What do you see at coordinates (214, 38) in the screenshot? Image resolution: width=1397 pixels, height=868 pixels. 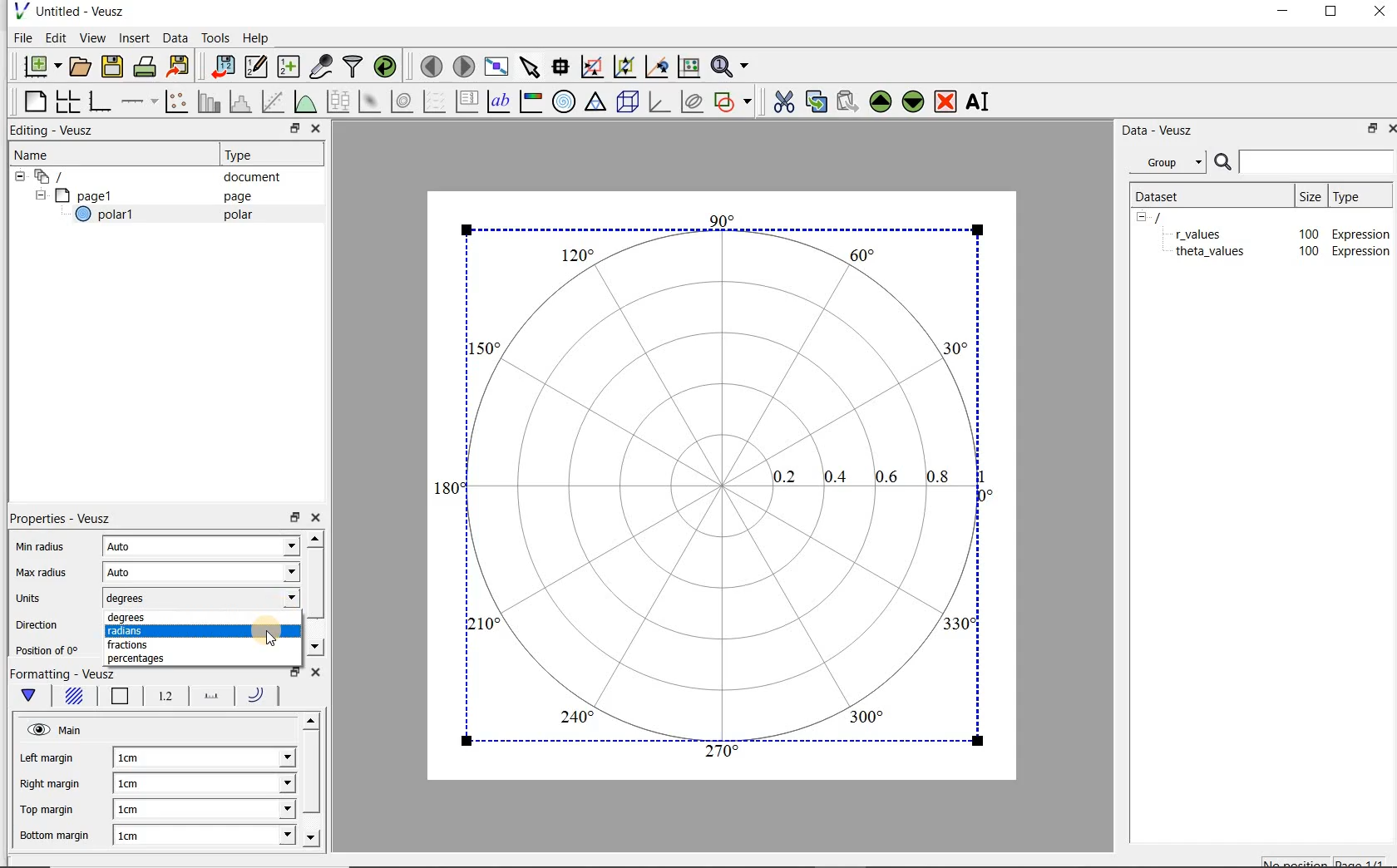 I see `Tools` at bounding box center [214, 38].